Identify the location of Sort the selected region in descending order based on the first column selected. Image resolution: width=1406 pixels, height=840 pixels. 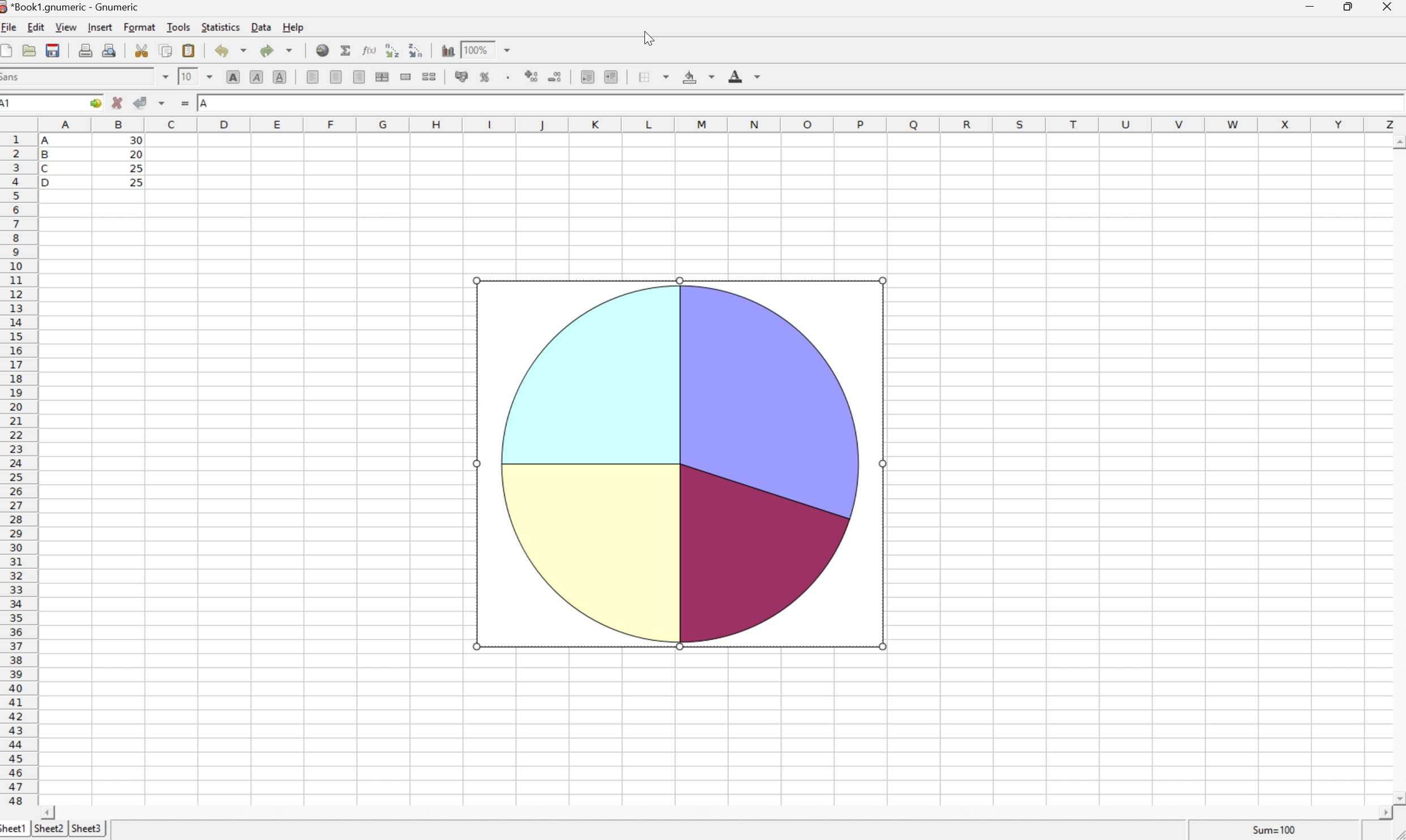
(415, 49).